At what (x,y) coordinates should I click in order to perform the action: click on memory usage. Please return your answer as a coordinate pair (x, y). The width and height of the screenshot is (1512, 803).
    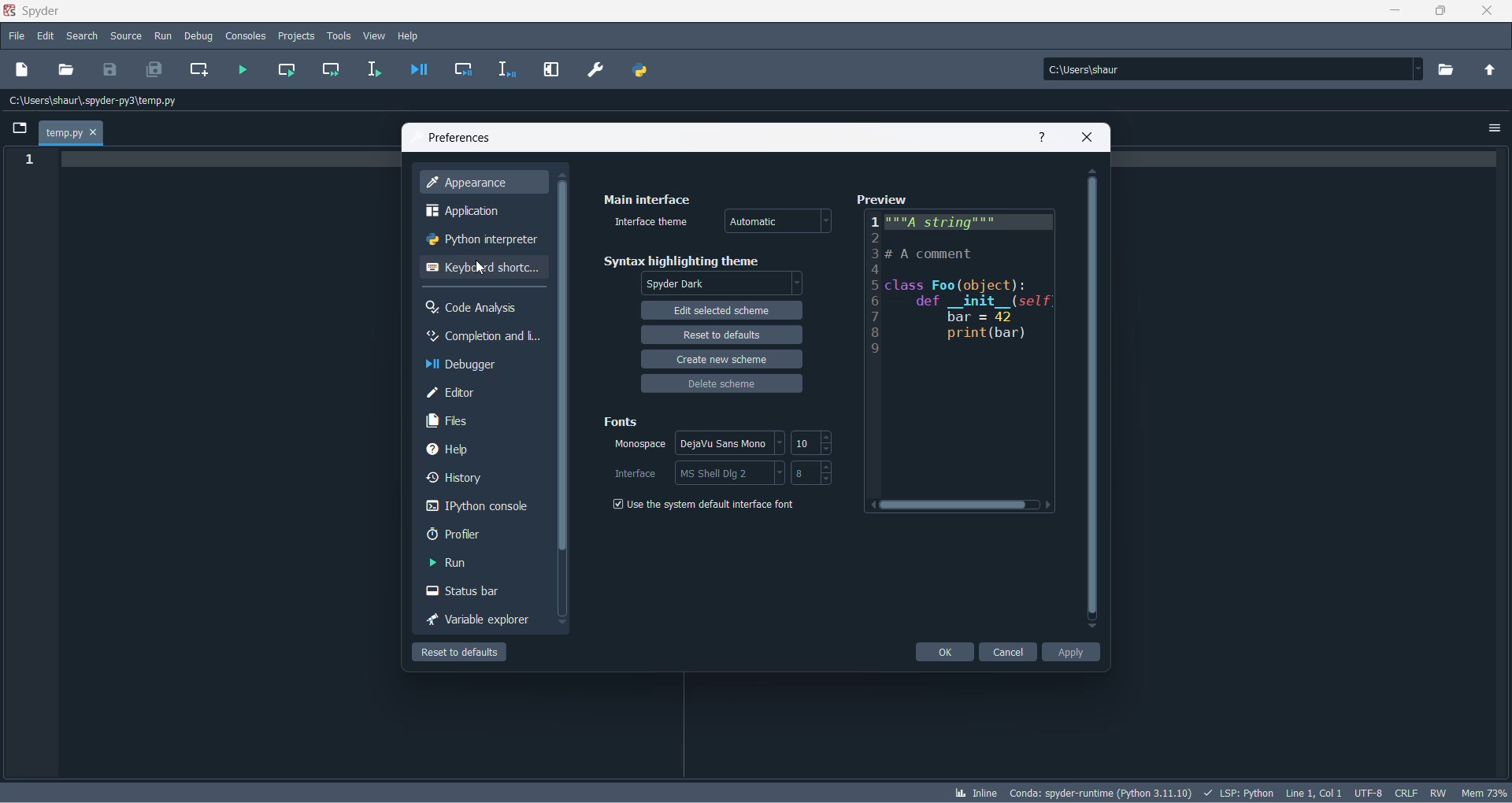
    Looking at the image, I should click on (1484, 791).